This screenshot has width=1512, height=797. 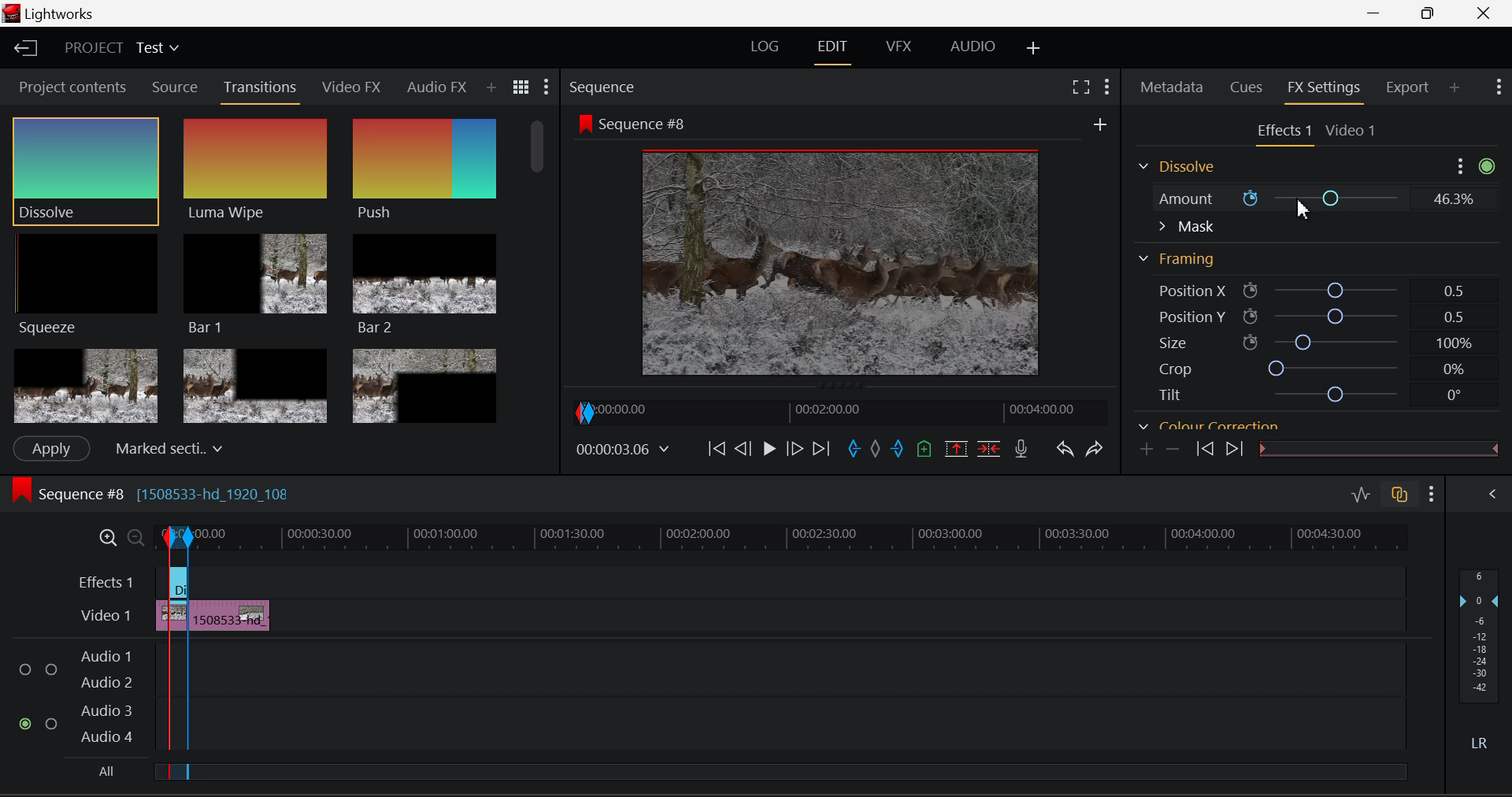 What do you see at coordinates (51, 664) in the screenshot?
I see `Audio Input Checkbox` at bounding box center [51, 664].